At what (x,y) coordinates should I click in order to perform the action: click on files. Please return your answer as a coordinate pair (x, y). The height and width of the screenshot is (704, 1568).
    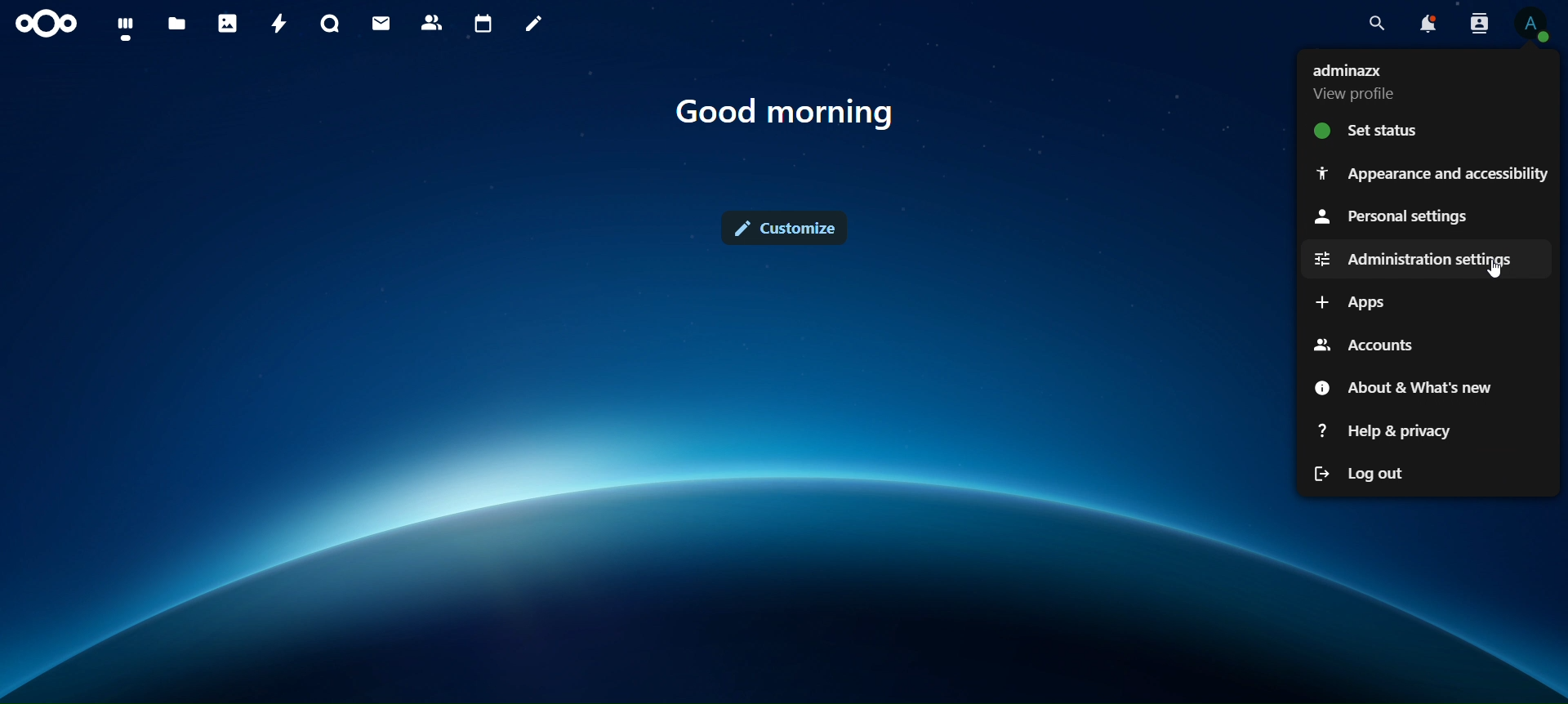
    Looking at the image, I should click on (177, 21).